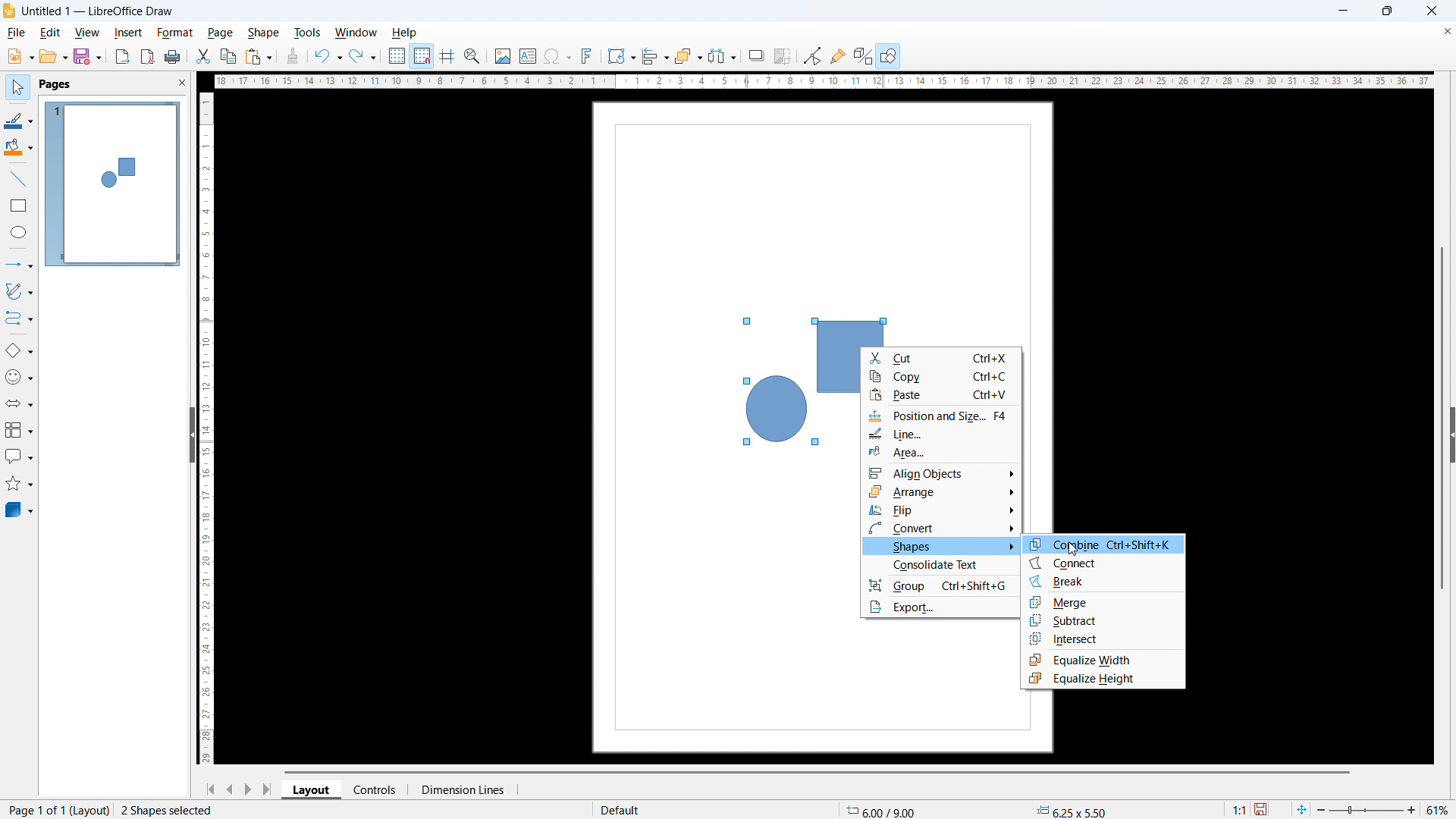  Describe the element at coordinates (620, 57) in the screenshot. I see `transformation` at that location.